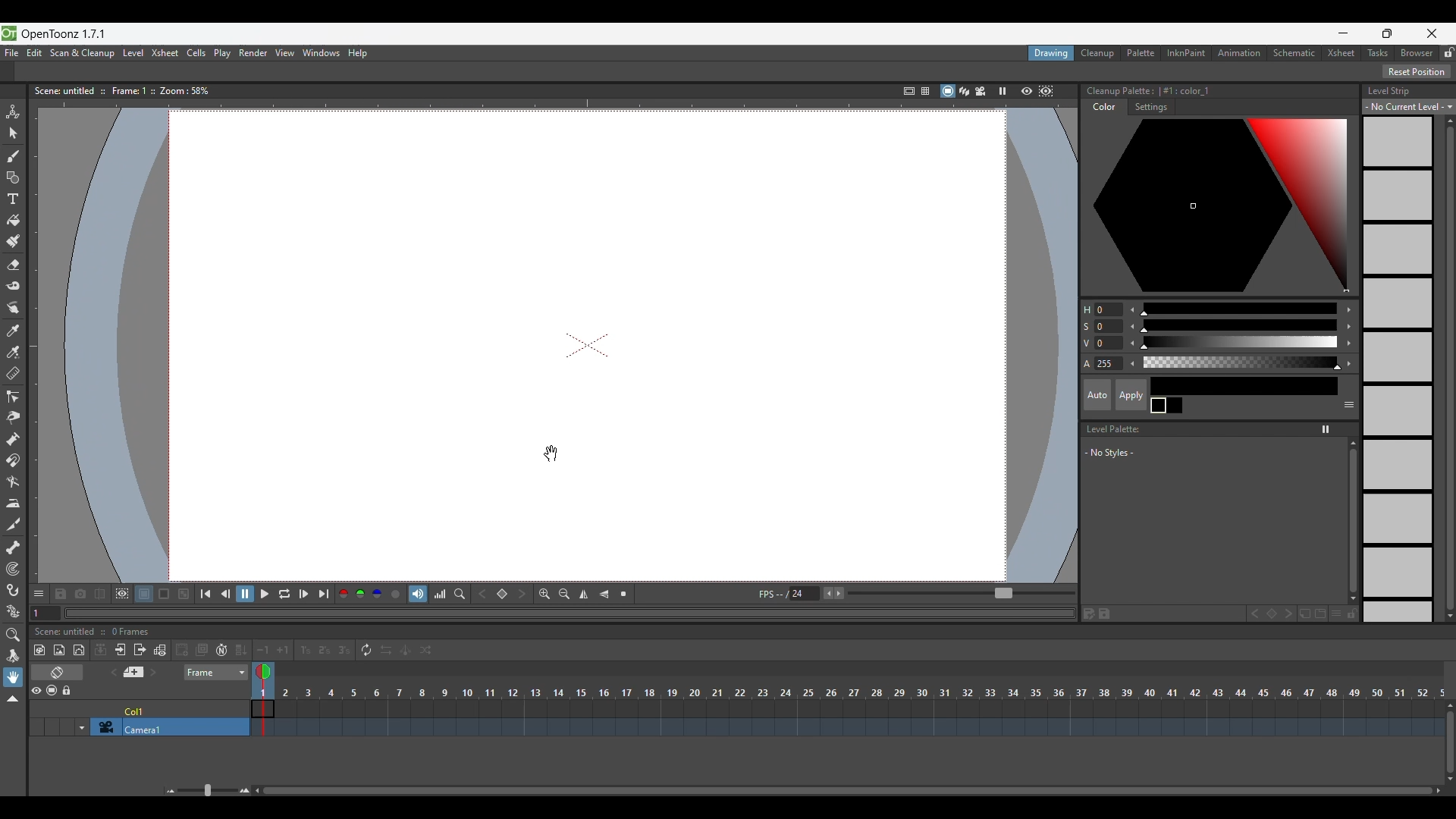  What do you see at coordinates (245, 594) in the screenshot?
I see `Pause` at bounding box center [245, 594].